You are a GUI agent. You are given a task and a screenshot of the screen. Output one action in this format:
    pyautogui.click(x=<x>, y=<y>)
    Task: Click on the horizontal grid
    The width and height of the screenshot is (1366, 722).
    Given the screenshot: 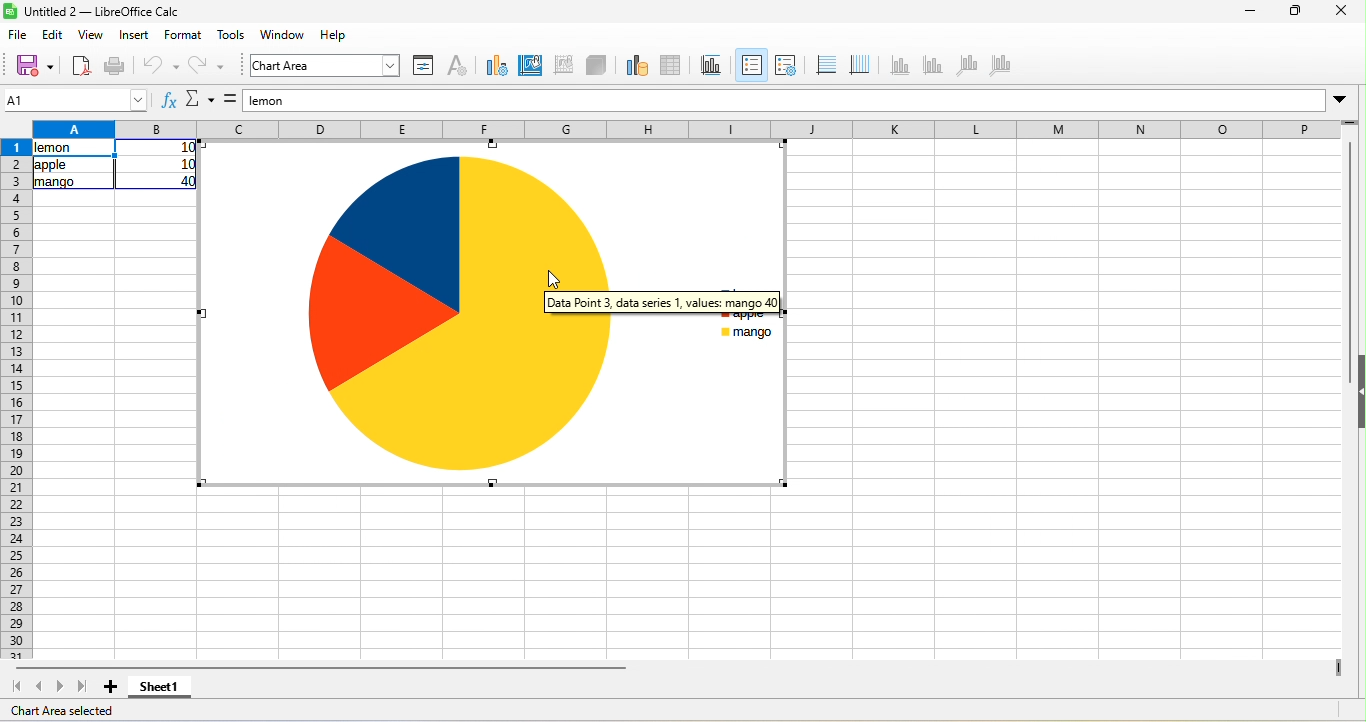 What is the action you would take?
    pyautogui.click(x=826, y=67)
    